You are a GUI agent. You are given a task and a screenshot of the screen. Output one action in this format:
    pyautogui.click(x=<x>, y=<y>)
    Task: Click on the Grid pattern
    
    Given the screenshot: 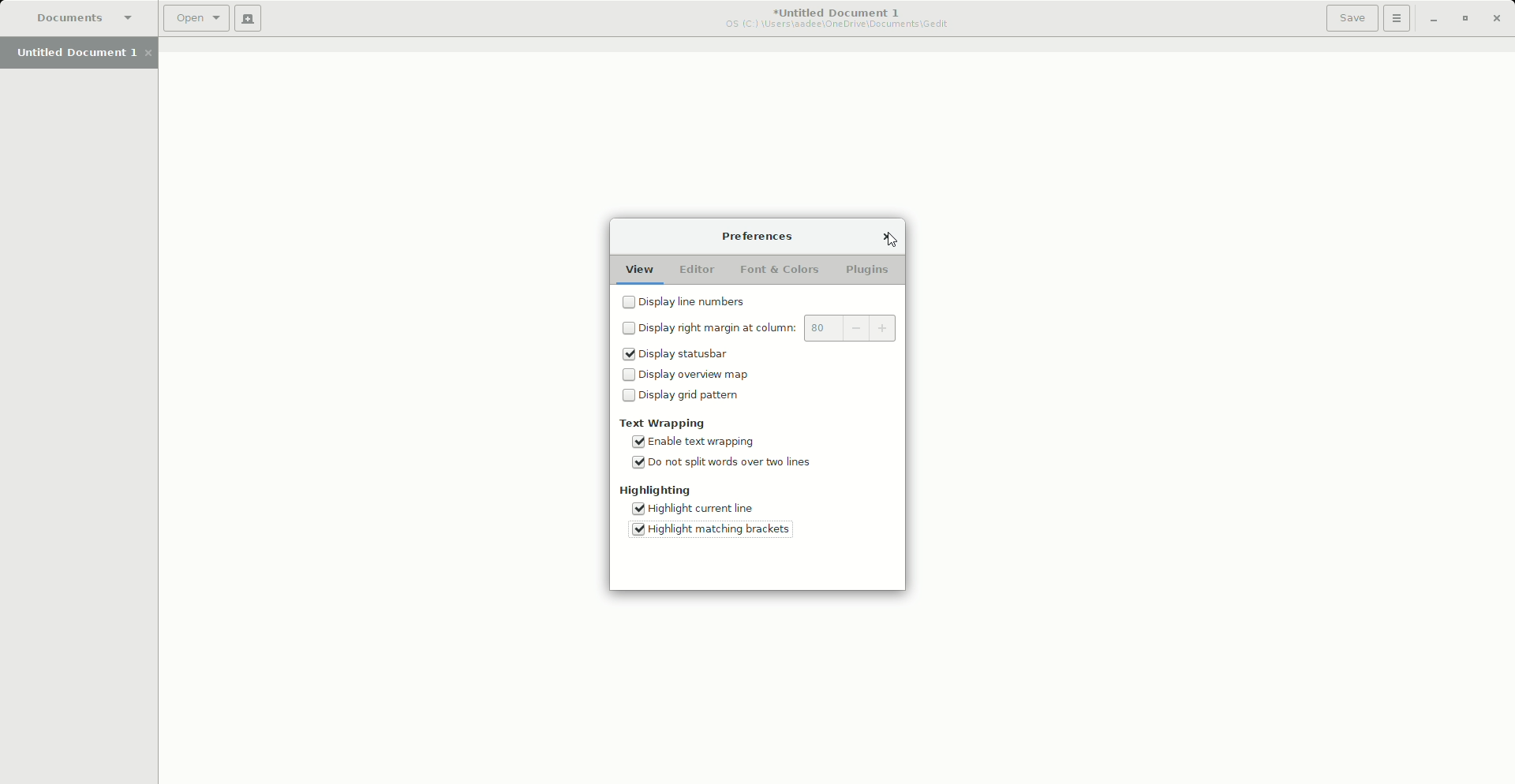 What is the action you would take?
    pyautogui.click(x=680, y=399)
    